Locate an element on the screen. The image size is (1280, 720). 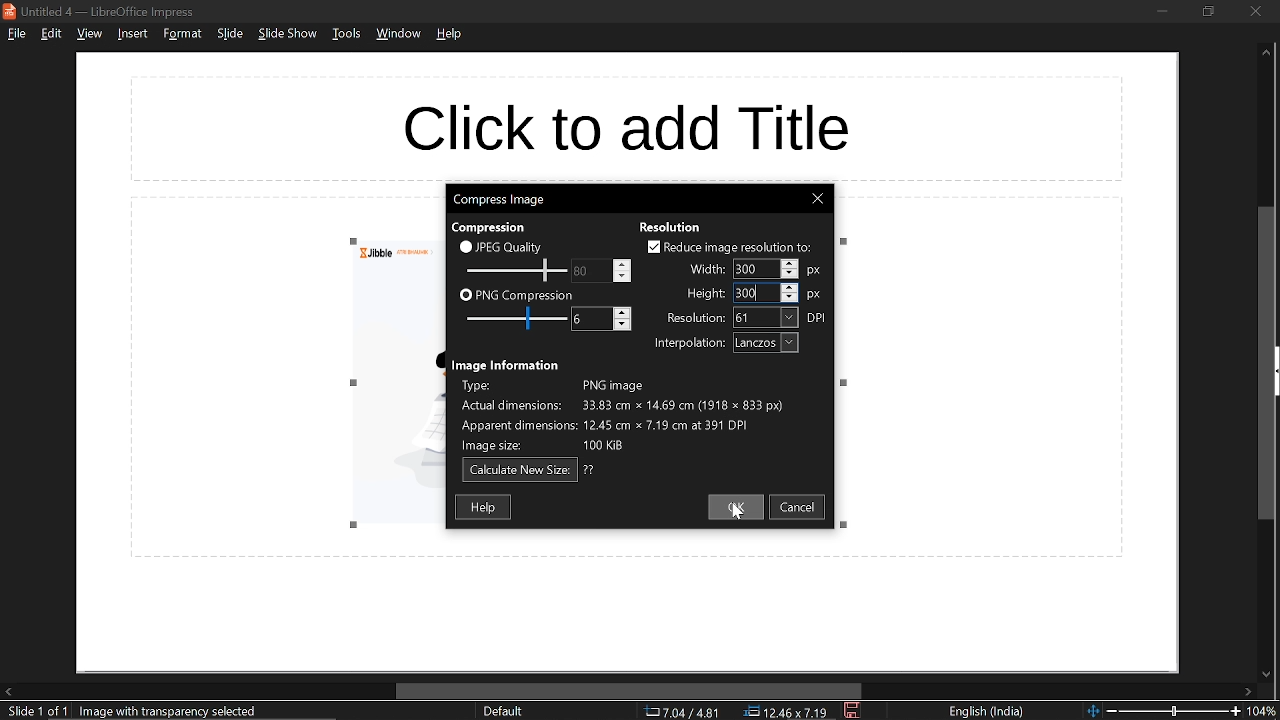
text is located at coordinates (671, 225).